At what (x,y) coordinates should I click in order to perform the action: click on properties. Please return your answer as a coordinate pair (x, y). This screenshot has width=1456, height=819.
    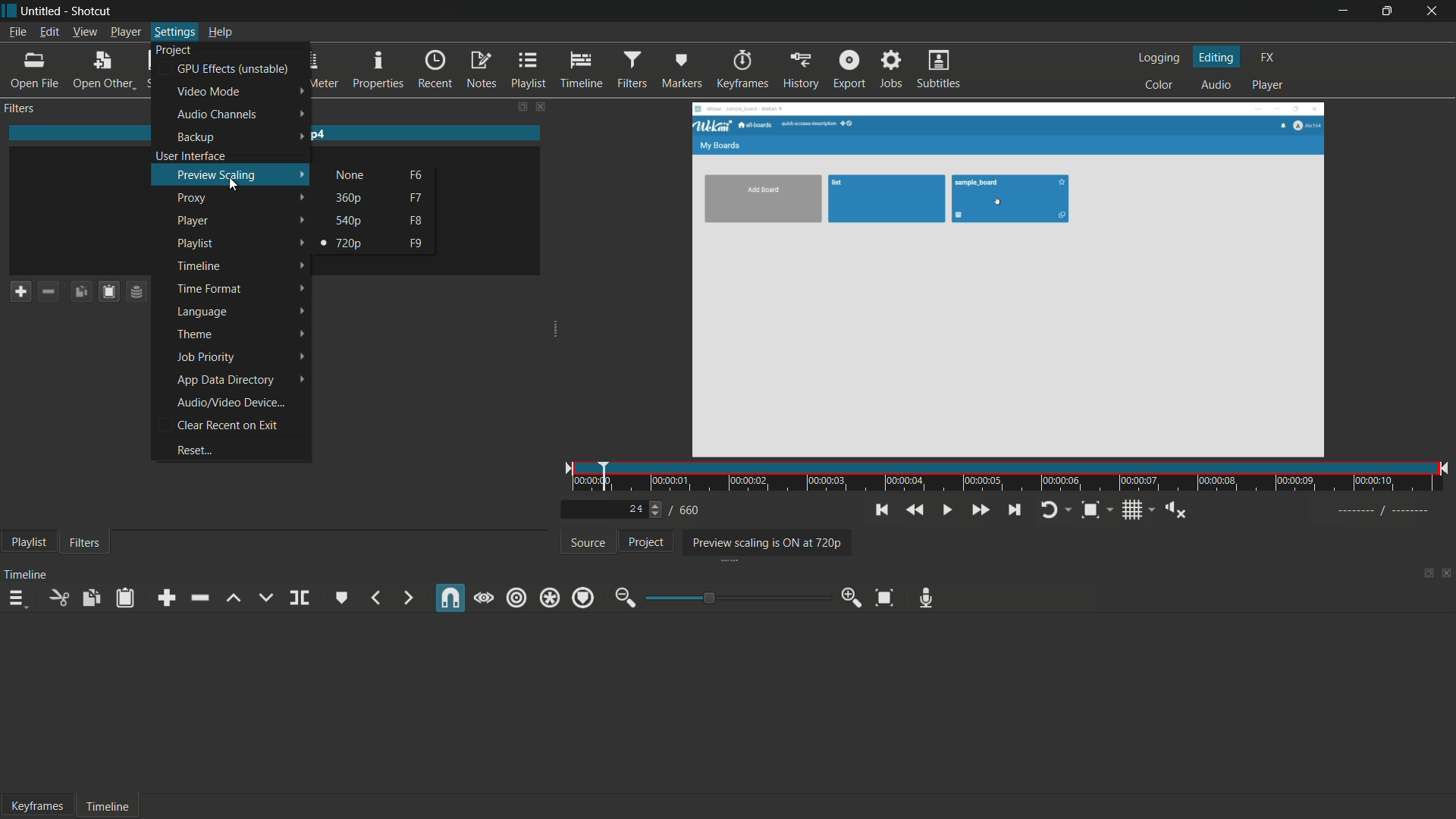
    Looking at the image, I should click on (379, 69).